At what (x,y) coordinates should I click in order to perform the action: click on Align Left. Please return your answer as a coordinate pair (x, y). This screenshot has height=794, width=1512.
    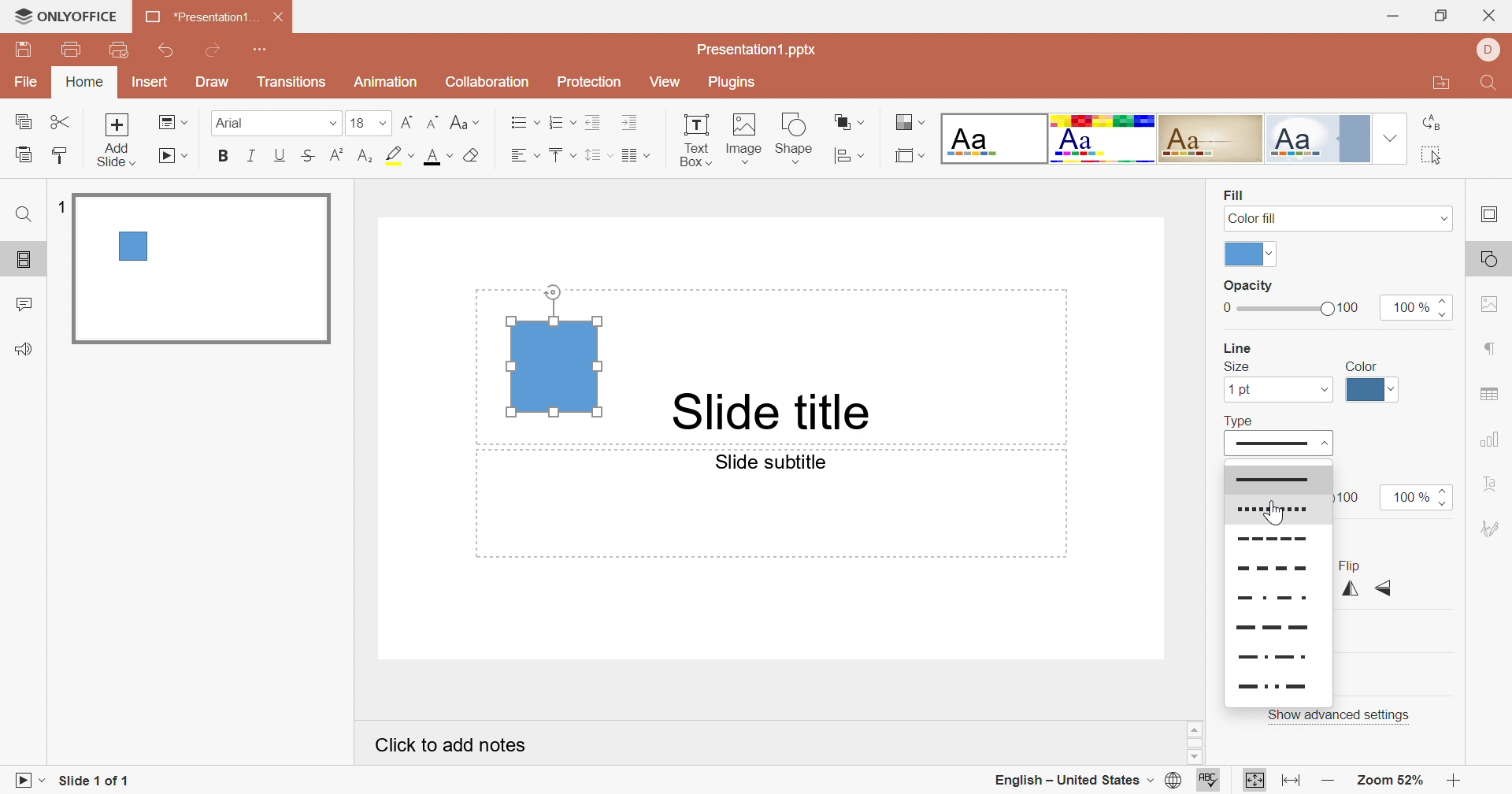
    Looking at the image, I should click on (525, 157).